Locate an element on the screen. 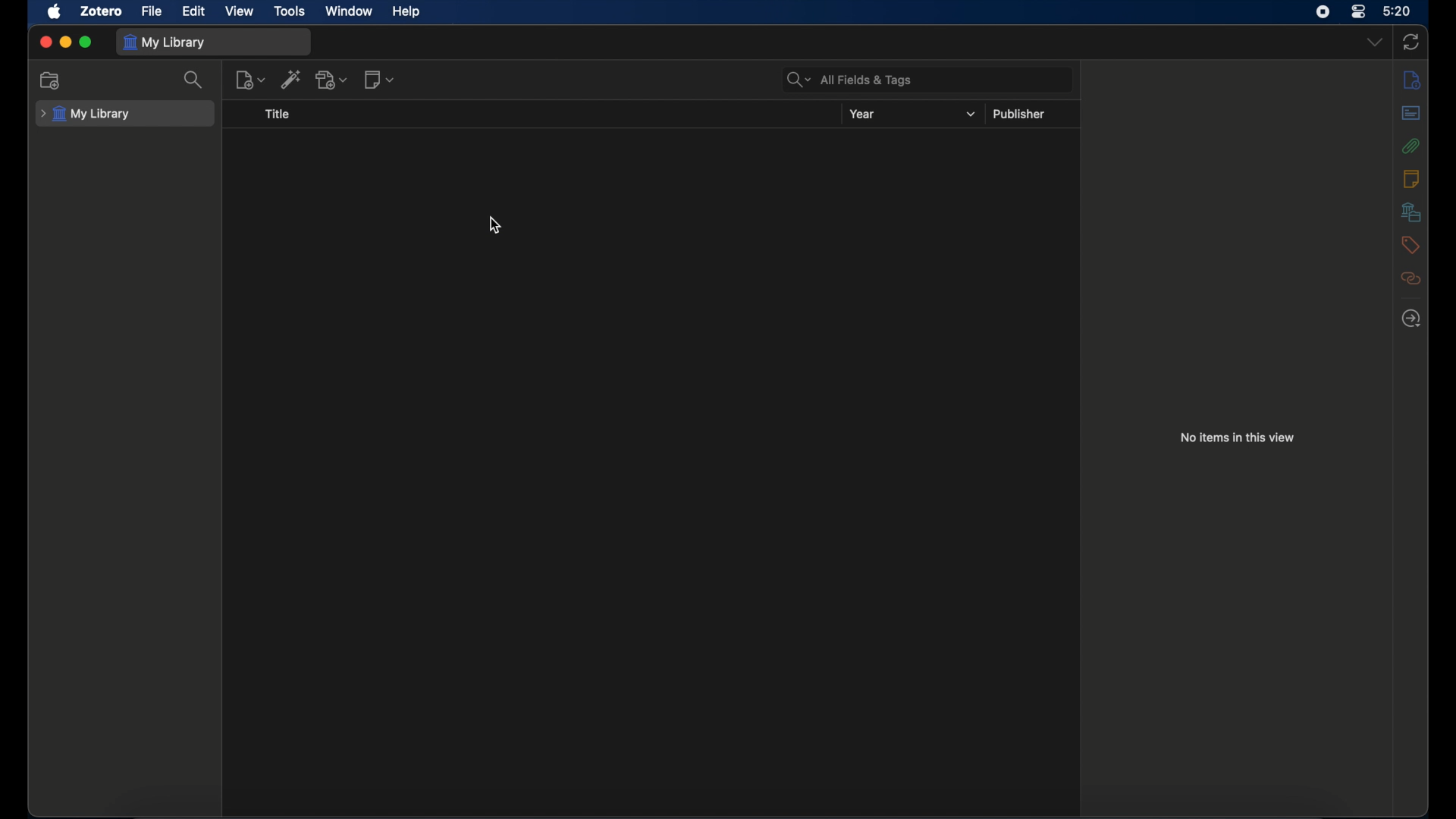  publisher is located at coordinates (1020, 113).